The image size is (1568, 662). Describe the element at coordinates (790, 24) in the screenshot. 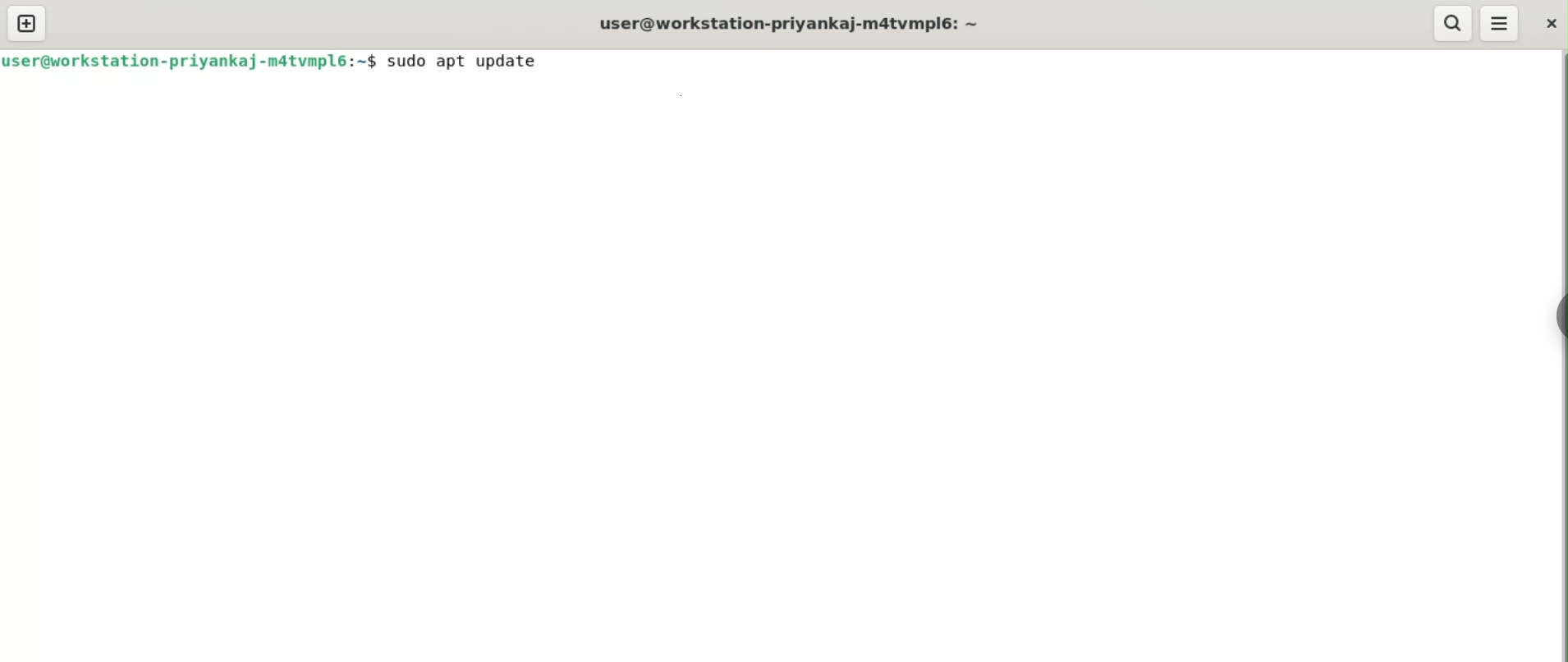

I see `terminal title` at that location.